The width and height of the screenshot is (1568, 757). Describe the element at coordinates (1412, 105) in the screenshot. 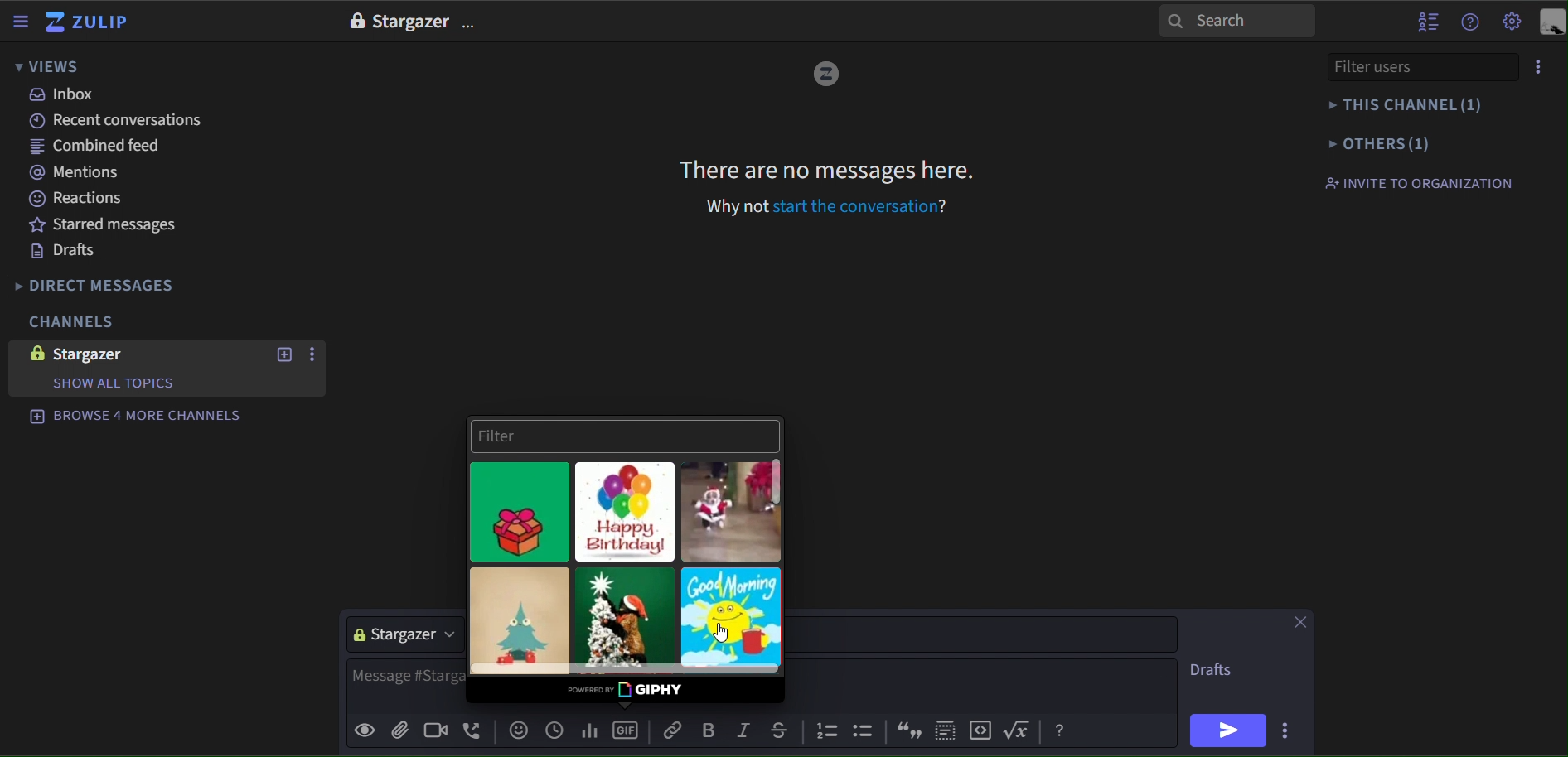

I see `This channel(1)` at that location.